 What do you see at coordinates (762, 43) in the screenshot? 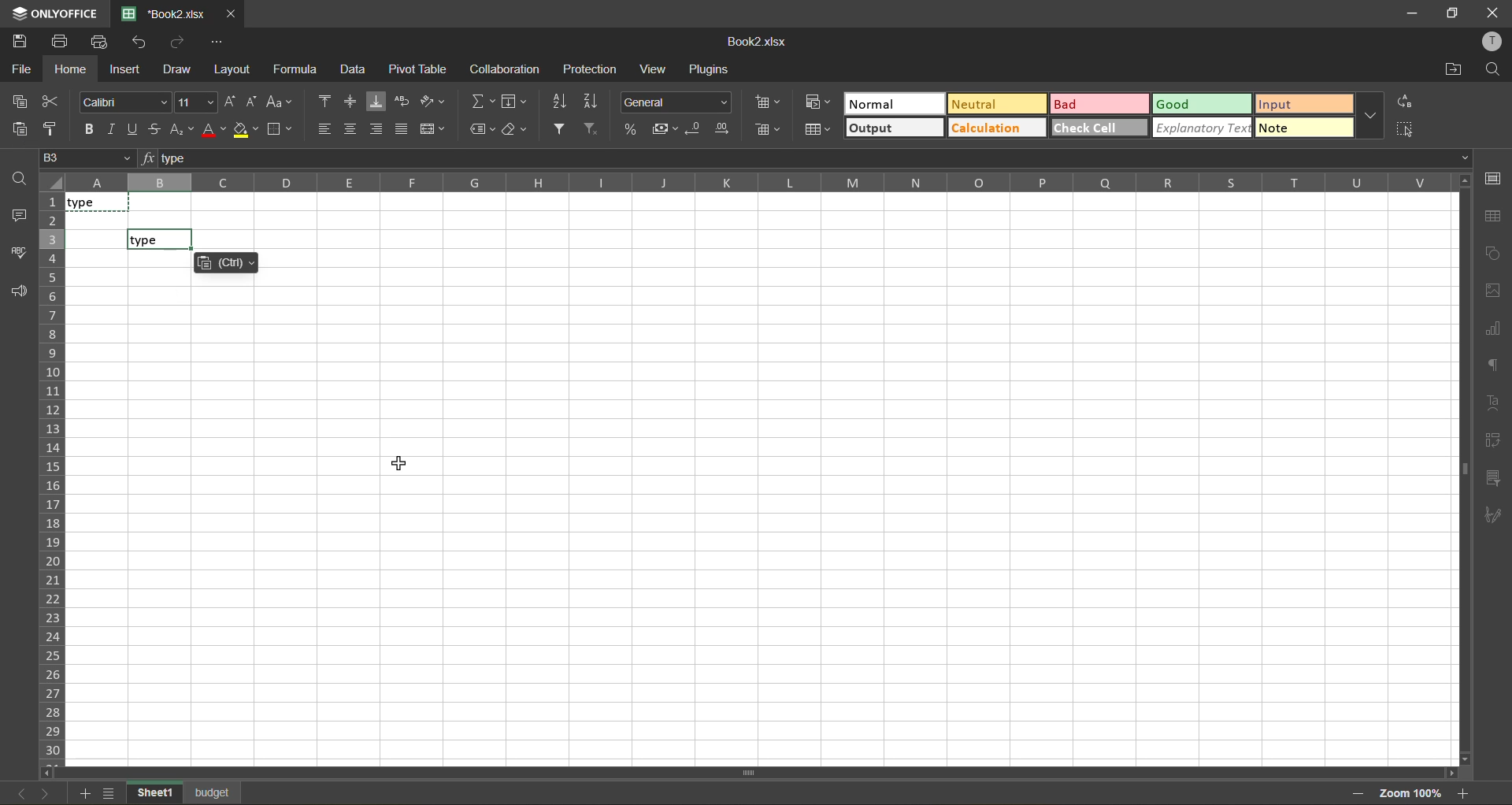
I see `filename` at bounding box center [762, 43].